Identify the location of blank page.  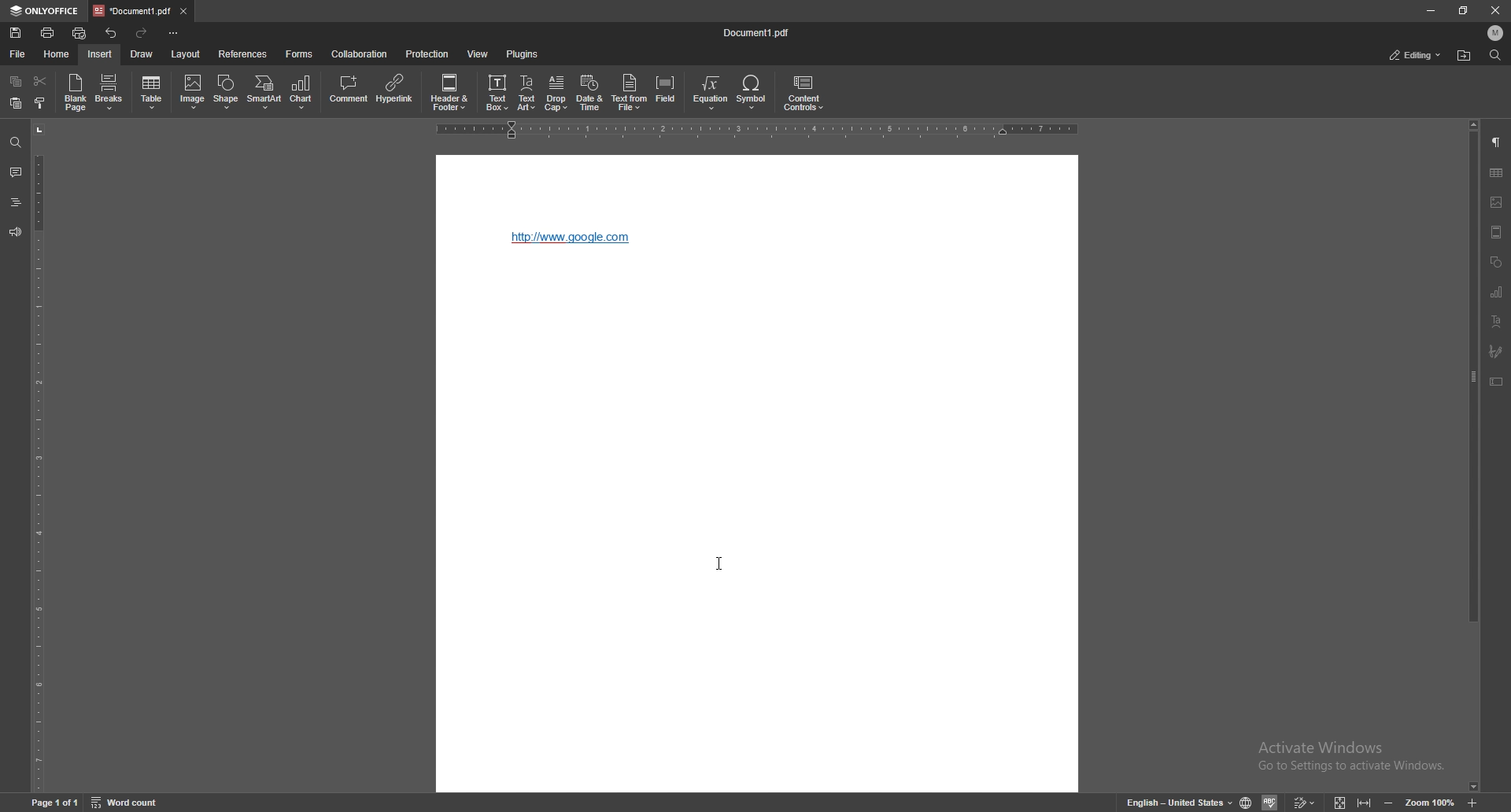
(76, 92).